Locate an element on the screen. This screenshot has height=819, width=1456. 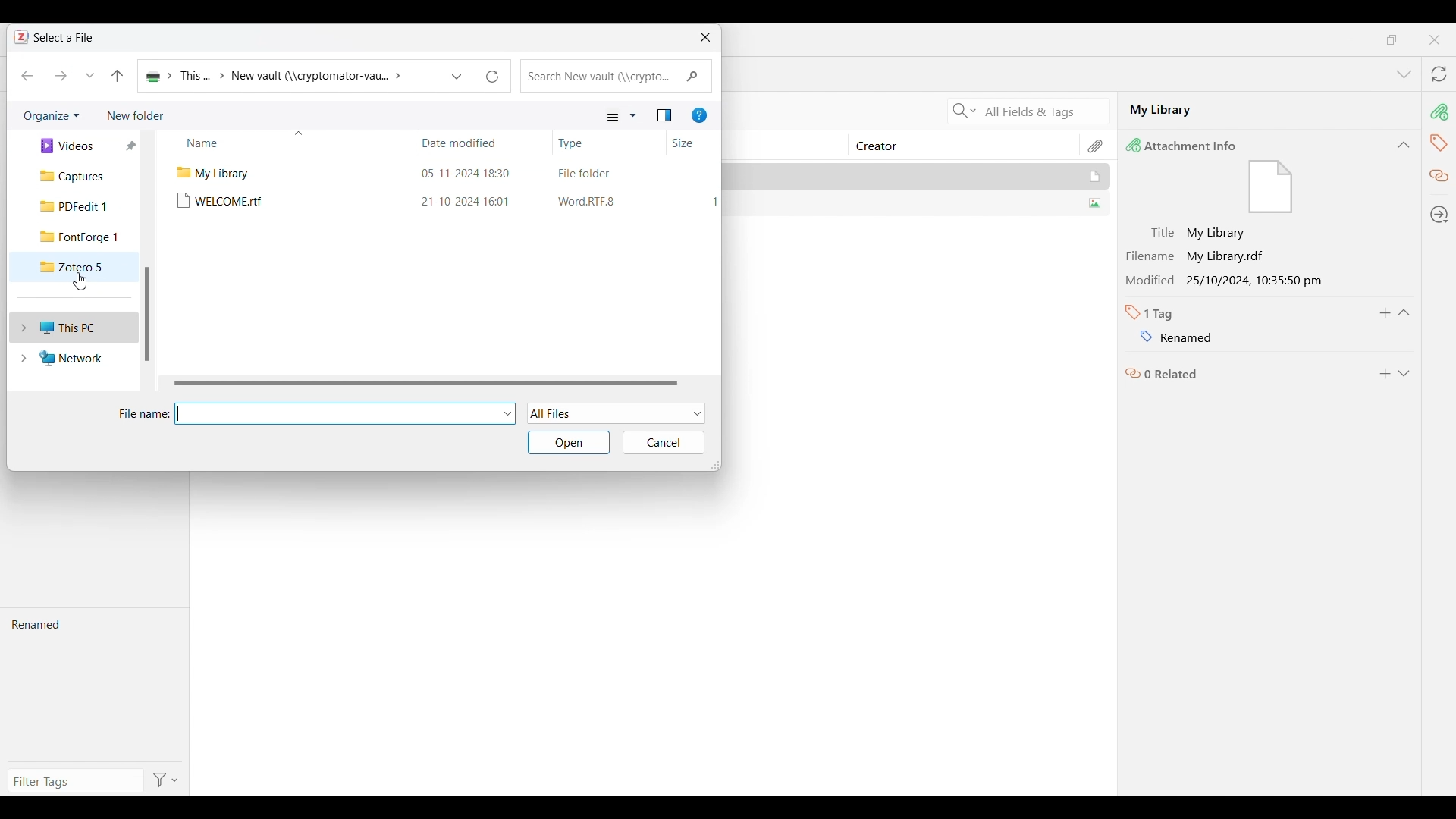
Expand is located at coordinates (1404, 374).